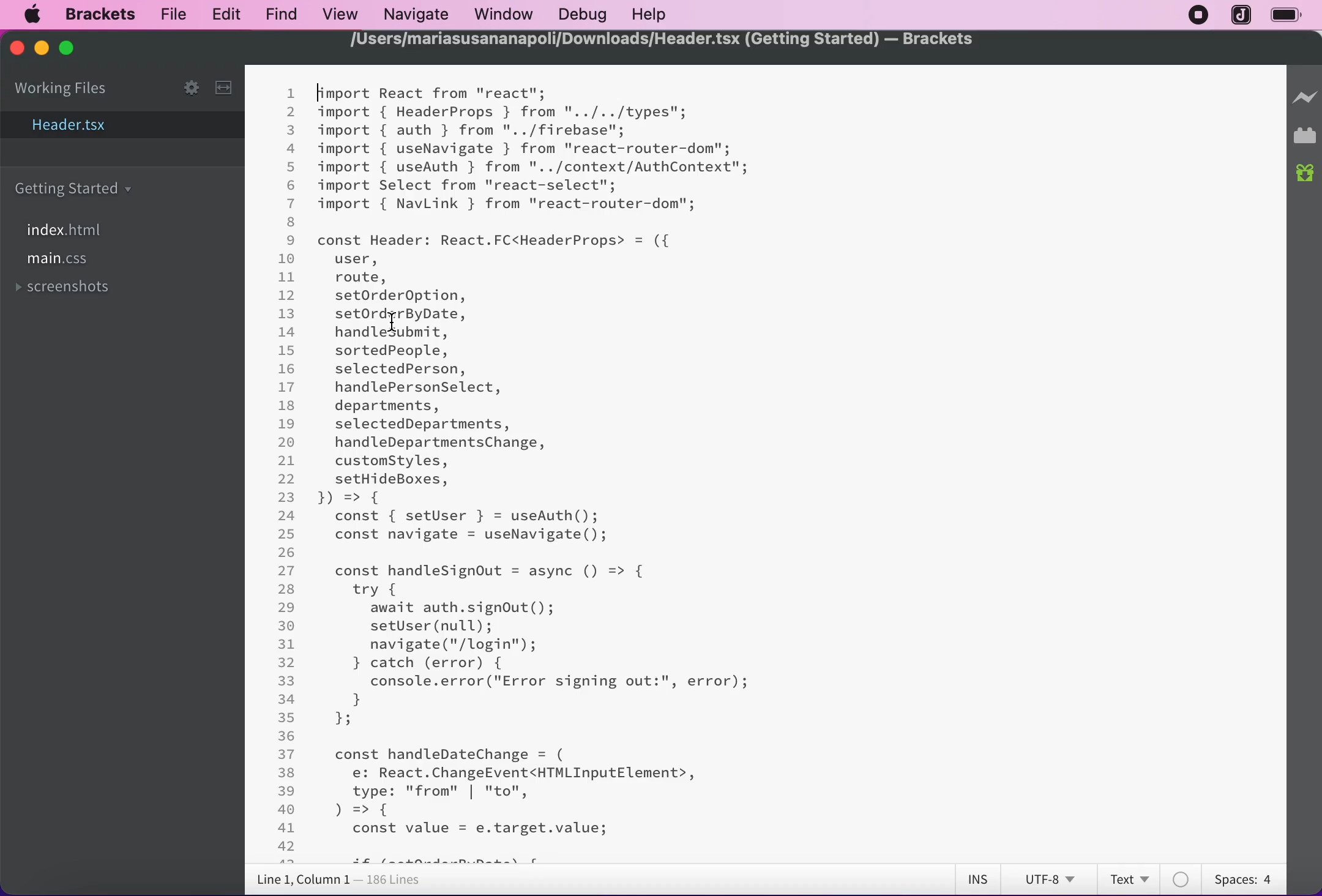  What do you see at coordinates (286, 480) in the screenshot?
I see `22` at bounding box center [286, 480].